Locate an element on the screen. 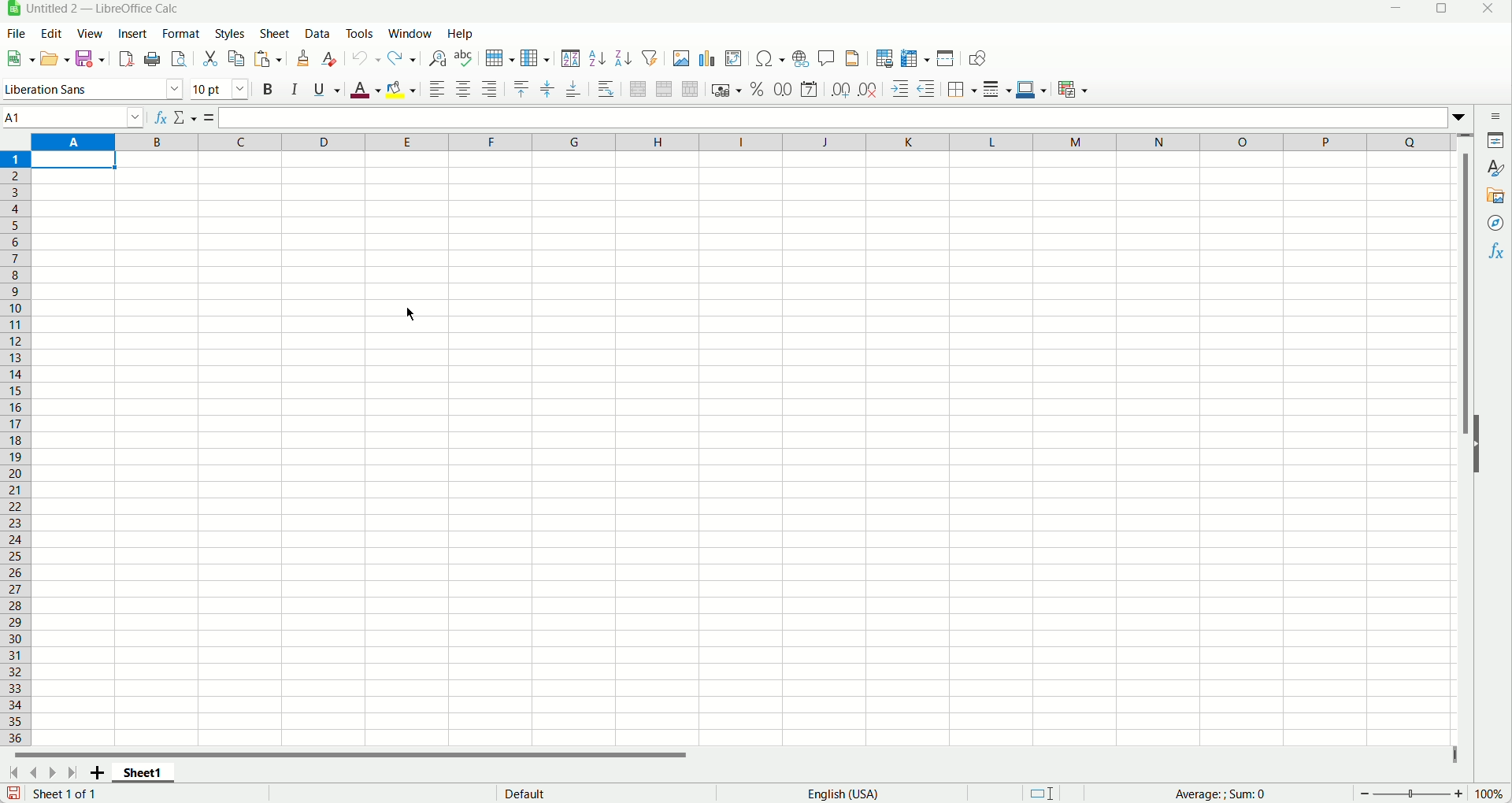 This screenshot has height=803, width=1512. Selection mode is located at coordinates (1043, 793).